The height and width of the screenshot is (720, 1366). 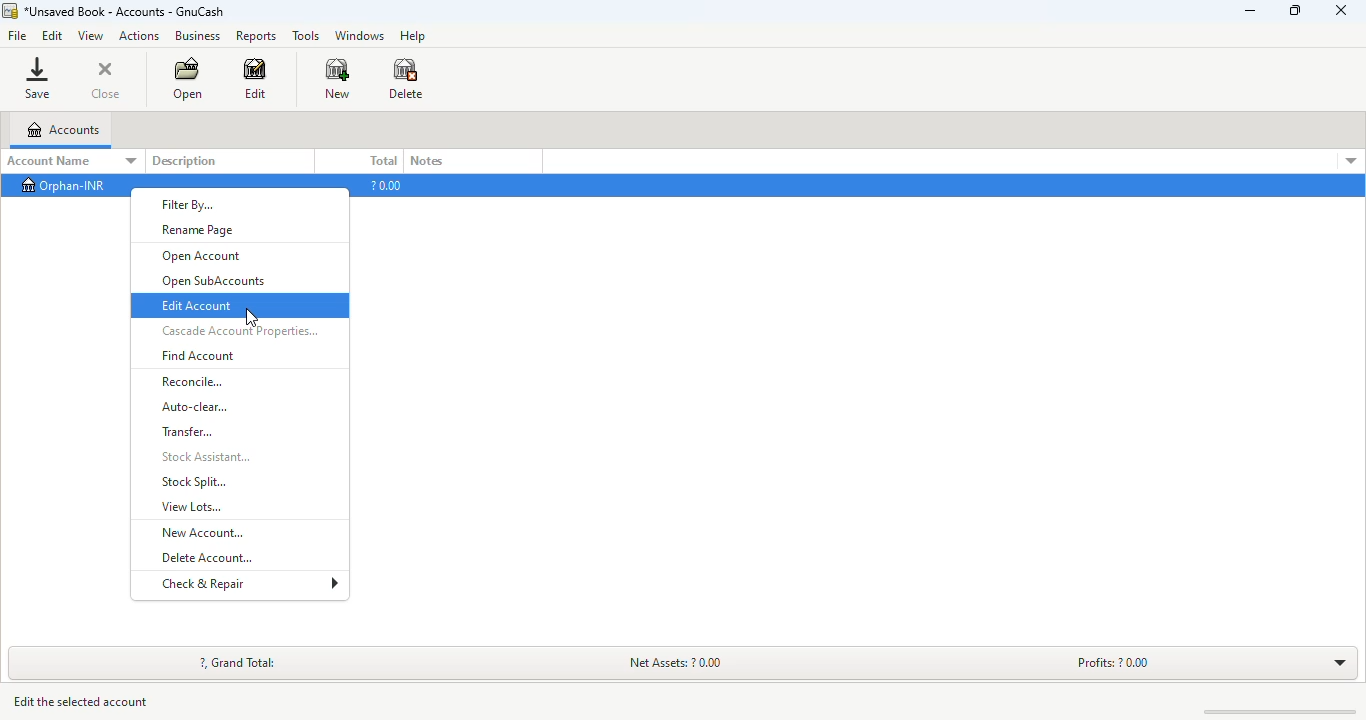 What do you see at coordinates (427, 160) in the screenshot?
I see `notes` at bounding box center [427, 160].